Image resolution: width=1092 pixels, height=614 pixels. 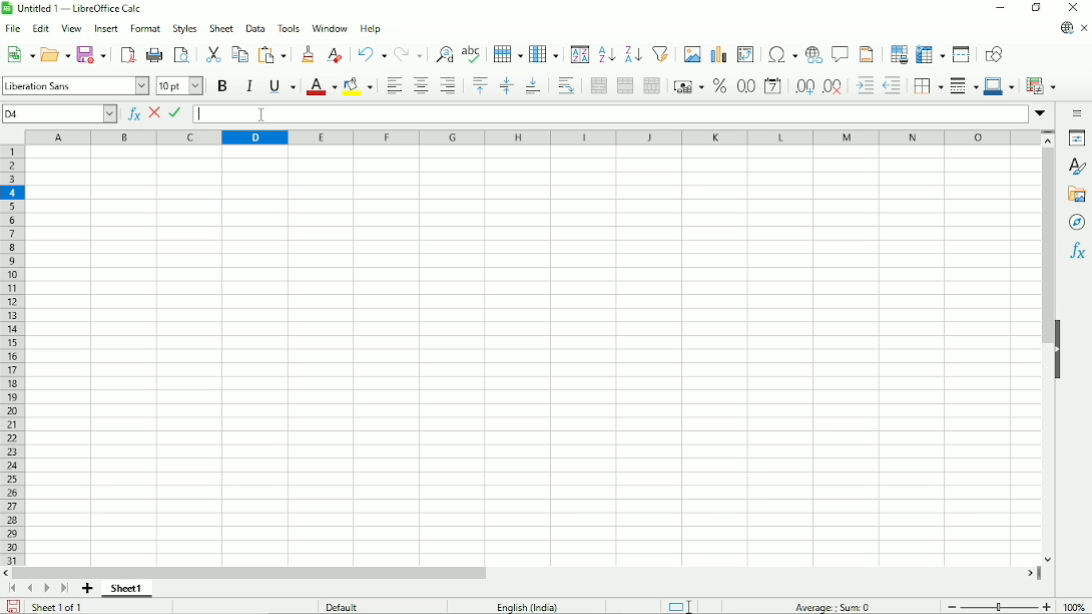 I want to click on Split window, so click(x=961, y=54).